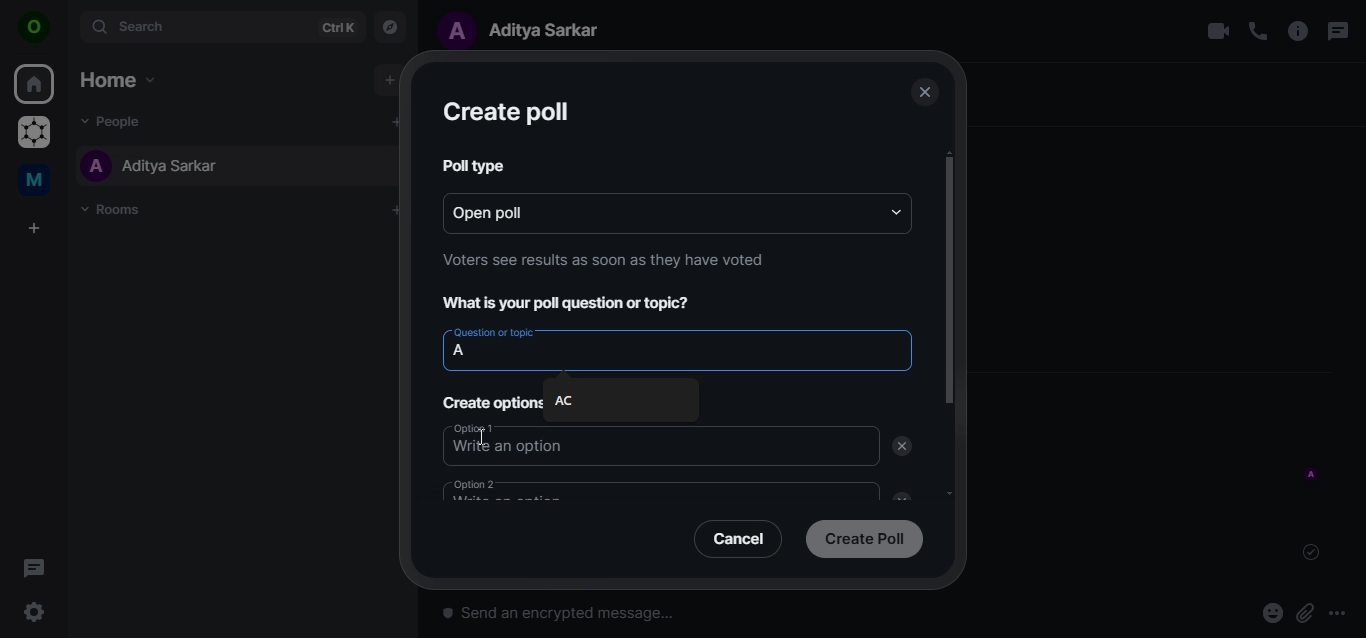 This screenshot has height=638, width=1366. Describe the element at coordinates (34, 567) in the screenshot. I see `threads` at that location.